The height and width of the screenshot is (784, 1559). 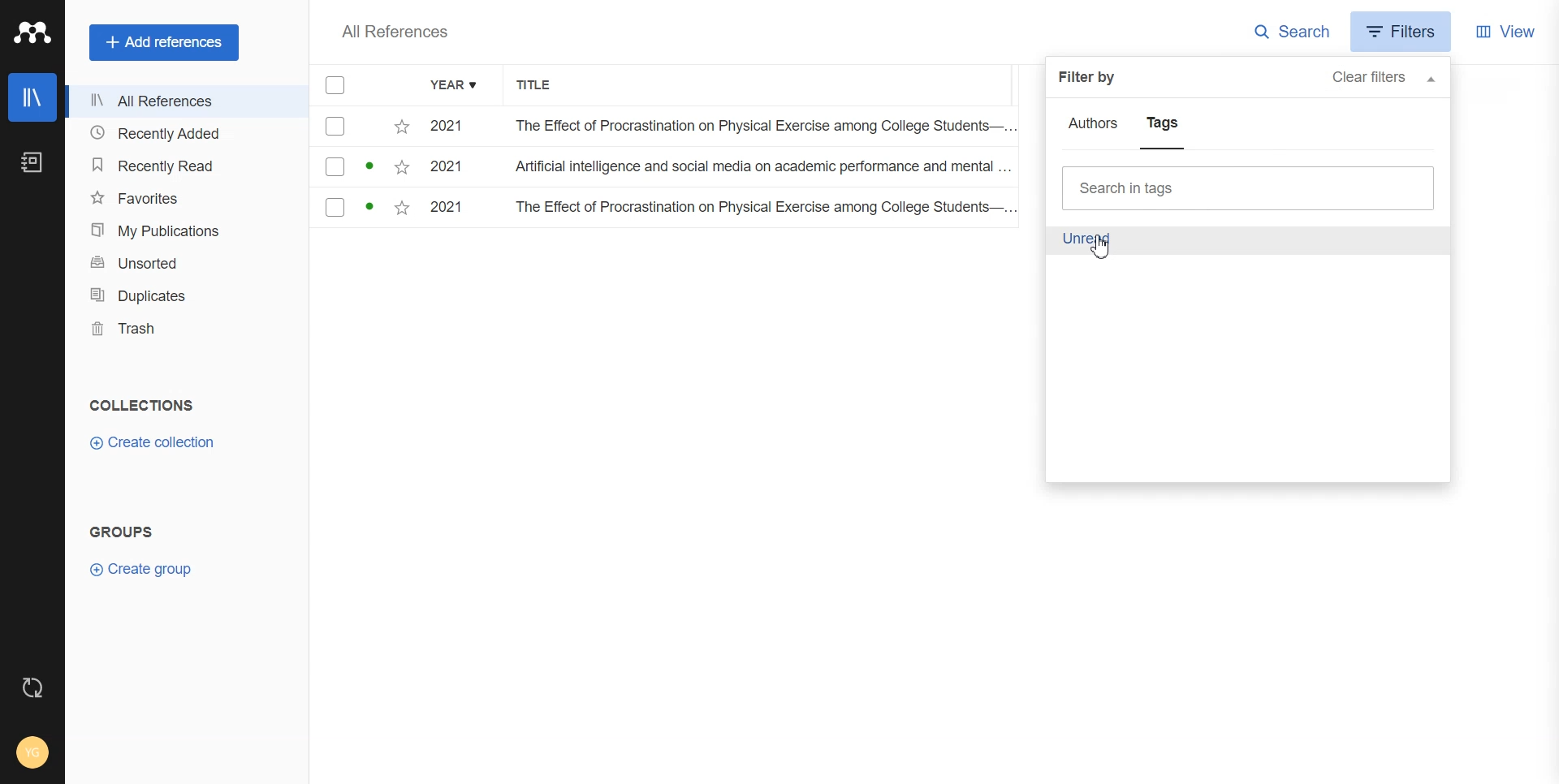 What do you see at coordinates (32, 163) in the screenshot?
I see `Notebook` at bounding box center [32, 163].